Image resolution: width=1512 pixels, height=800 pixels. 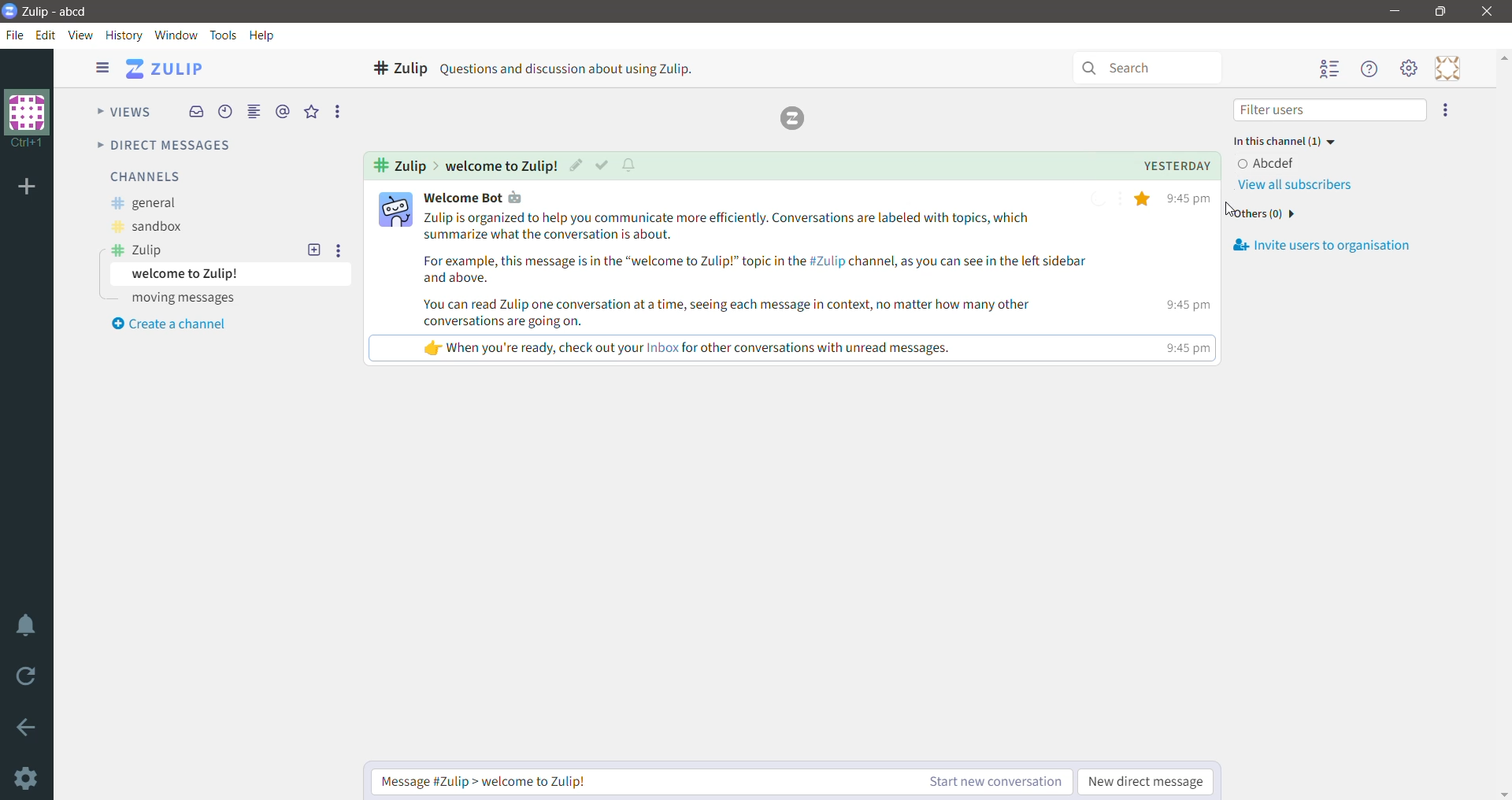 I want to click on Edit Topic, so click(x=573, y=165).